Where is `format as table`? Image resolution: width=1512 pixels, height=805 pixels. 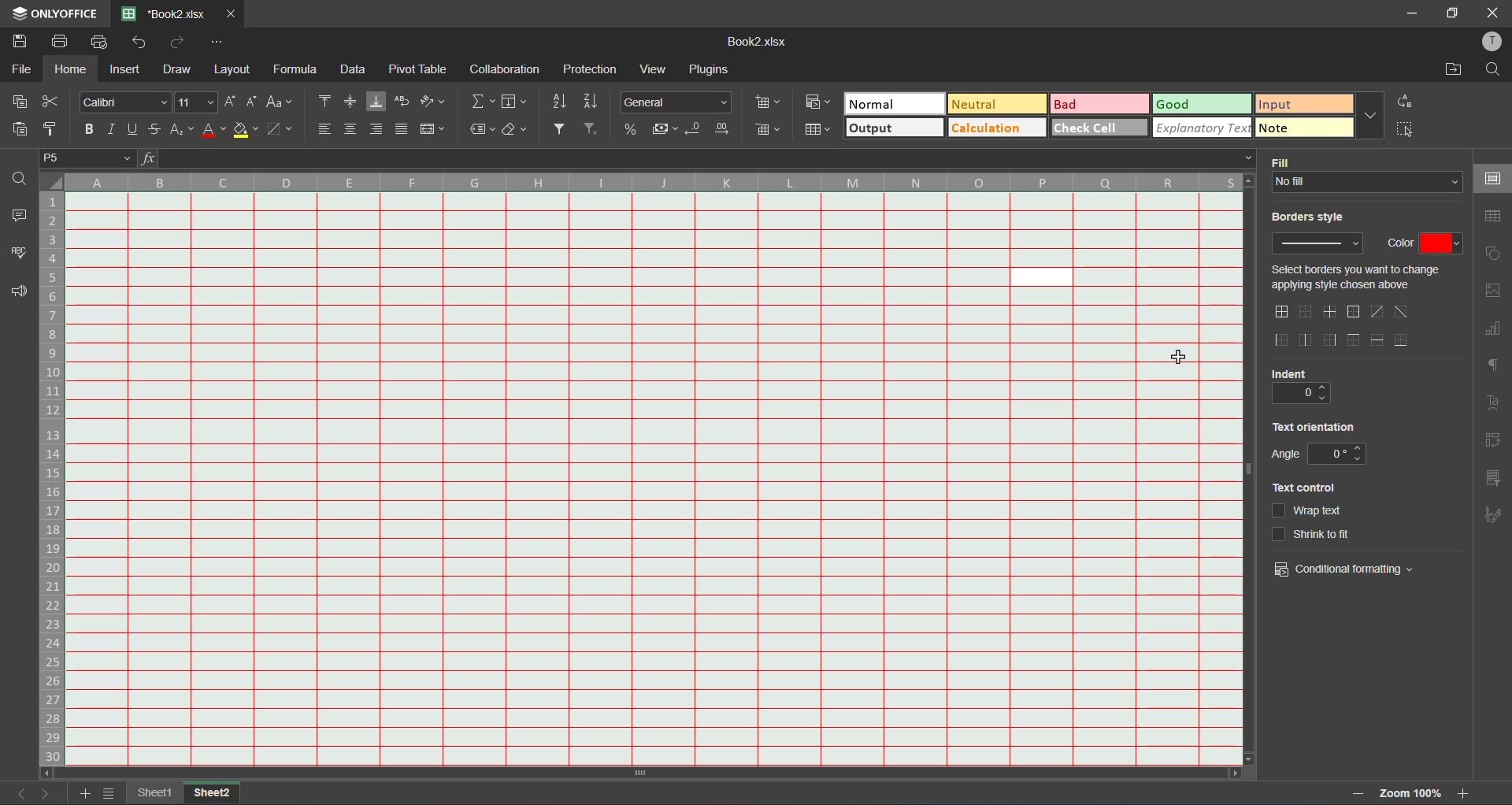 format as table is located at coordinates (817, 130).